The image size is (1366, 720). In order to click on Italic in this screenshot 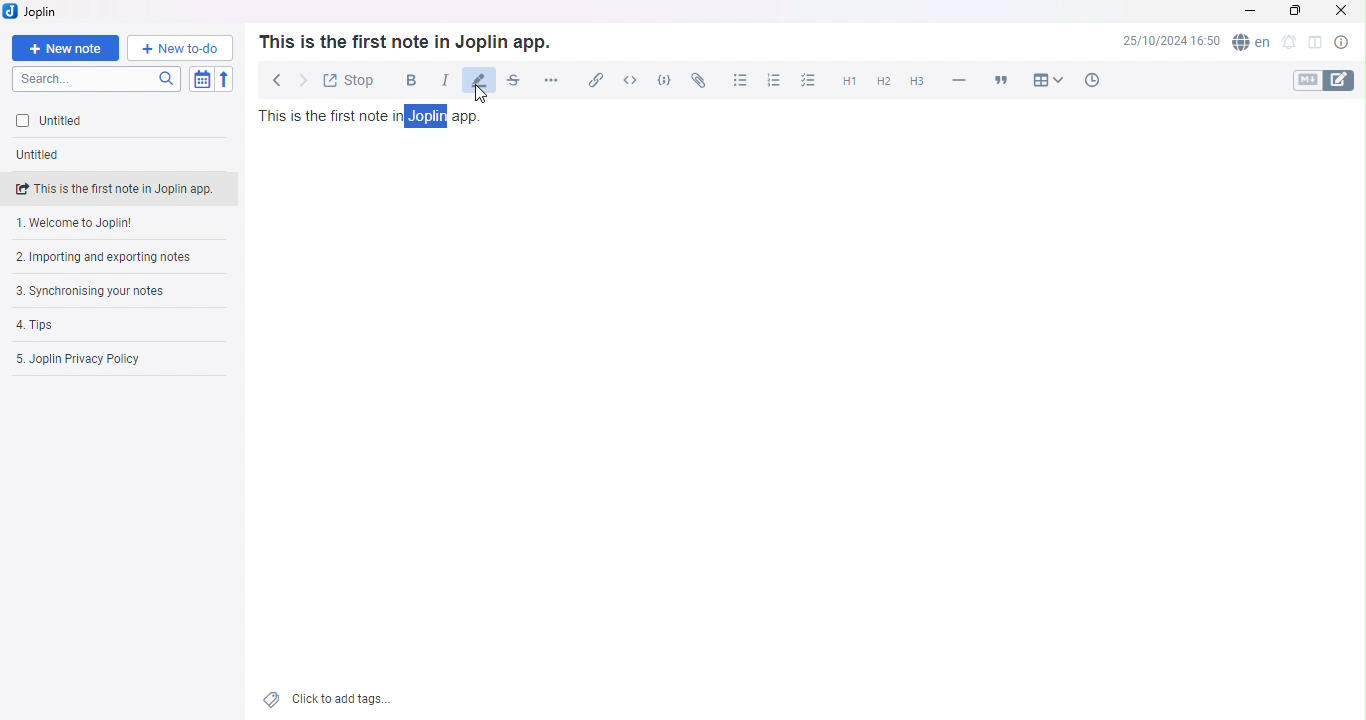, I will do `click(440, 80)`.